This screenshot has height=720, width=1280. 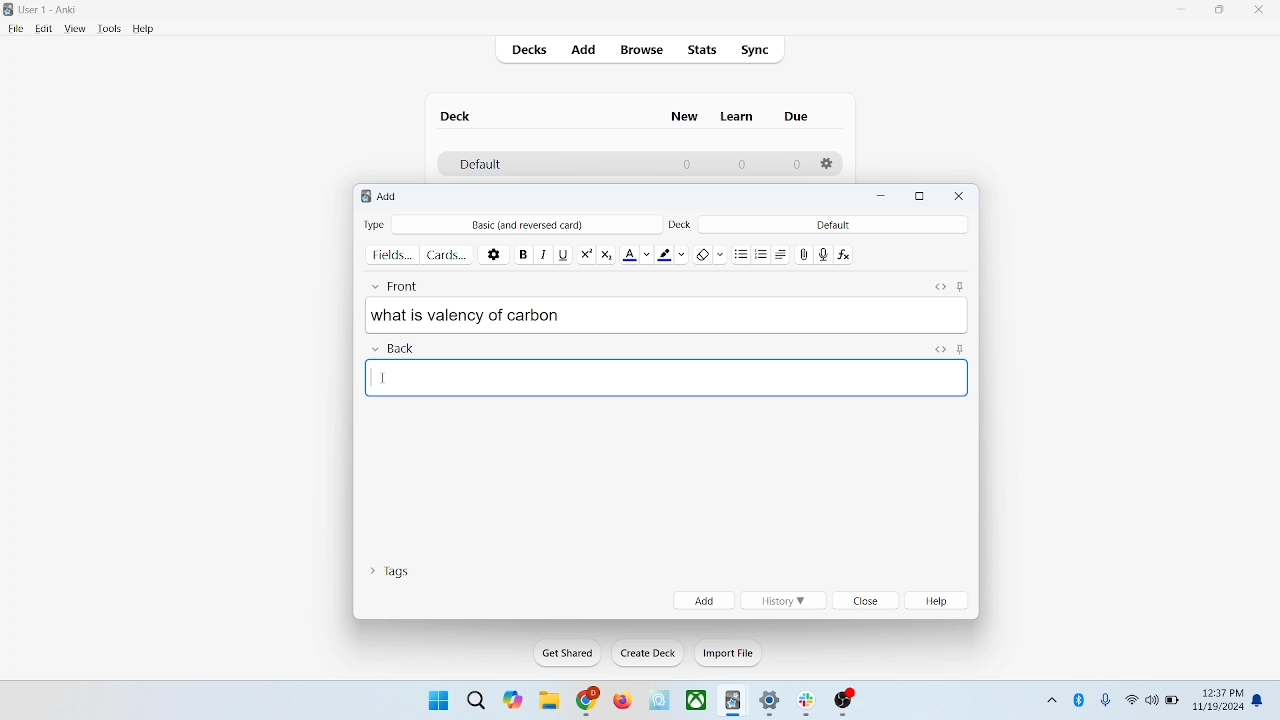 I want to click on ordered list, so click(x=764, y=255).